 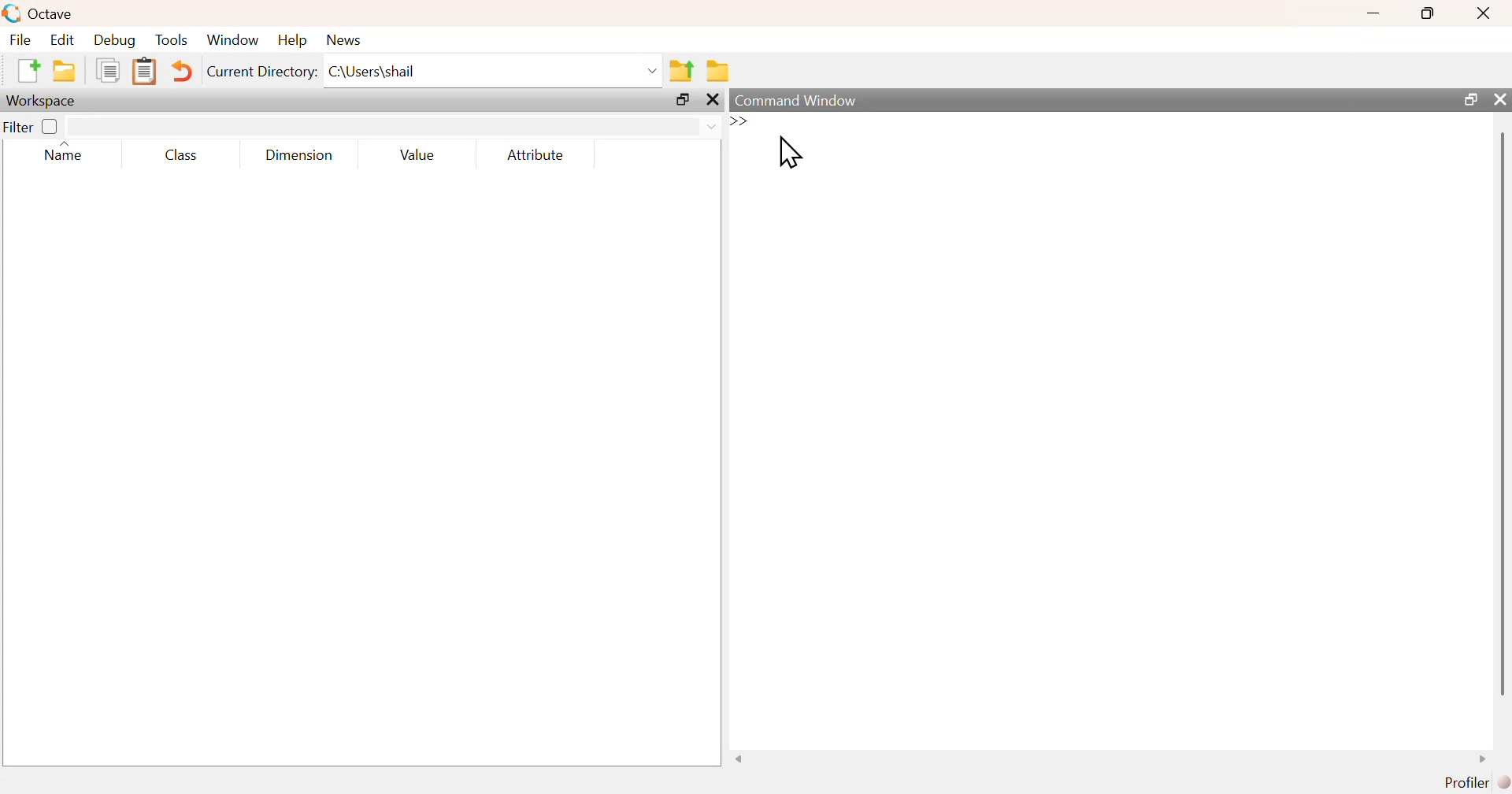 I want to click on Edit, so click(x=61, y=39).